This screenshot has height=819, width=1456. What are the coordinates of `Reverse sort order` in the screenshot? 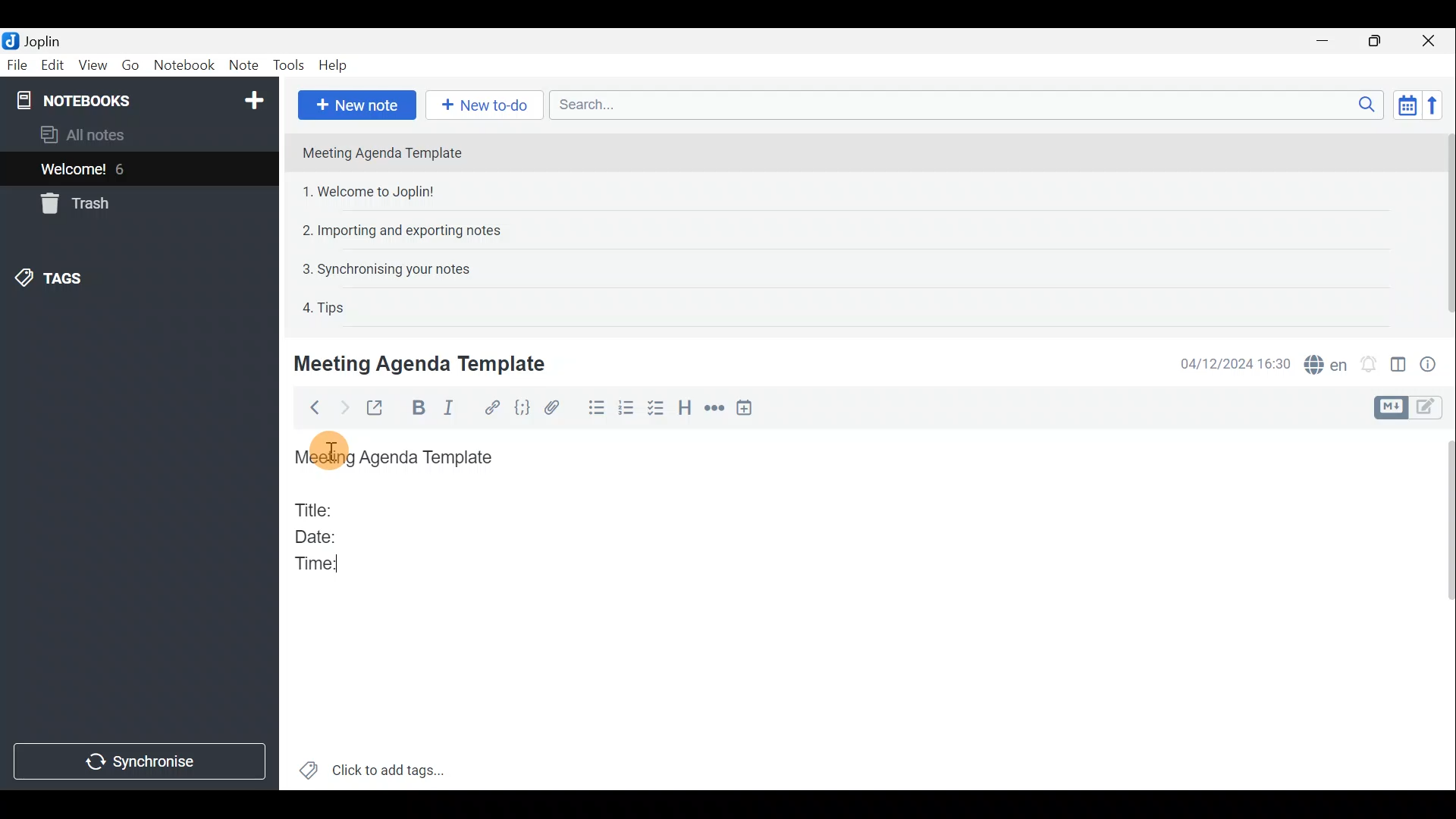 It's located at (1435, 105).